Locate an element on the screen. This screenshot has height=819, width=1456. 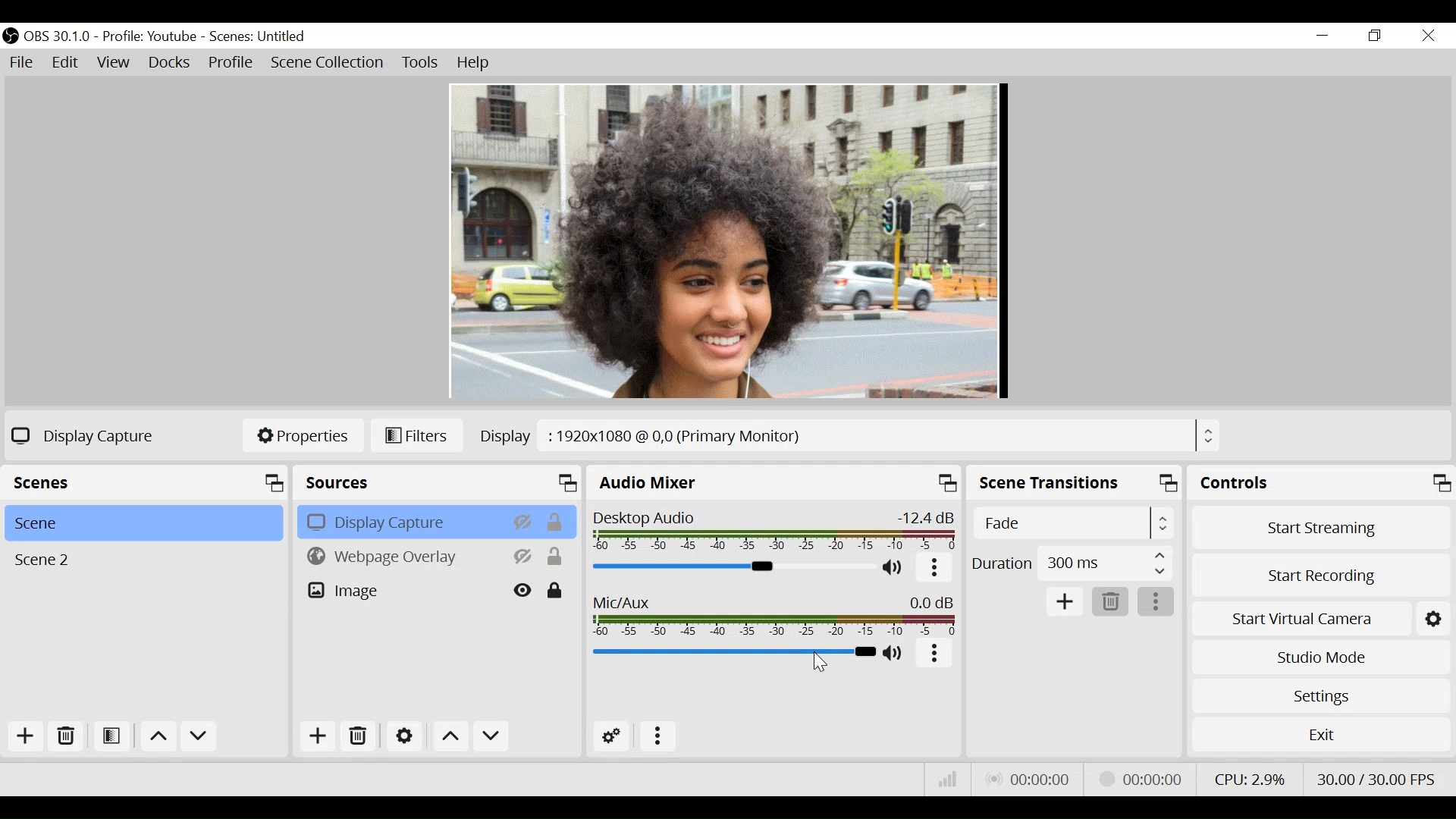
minimize is located at coordinates (1323, 35).